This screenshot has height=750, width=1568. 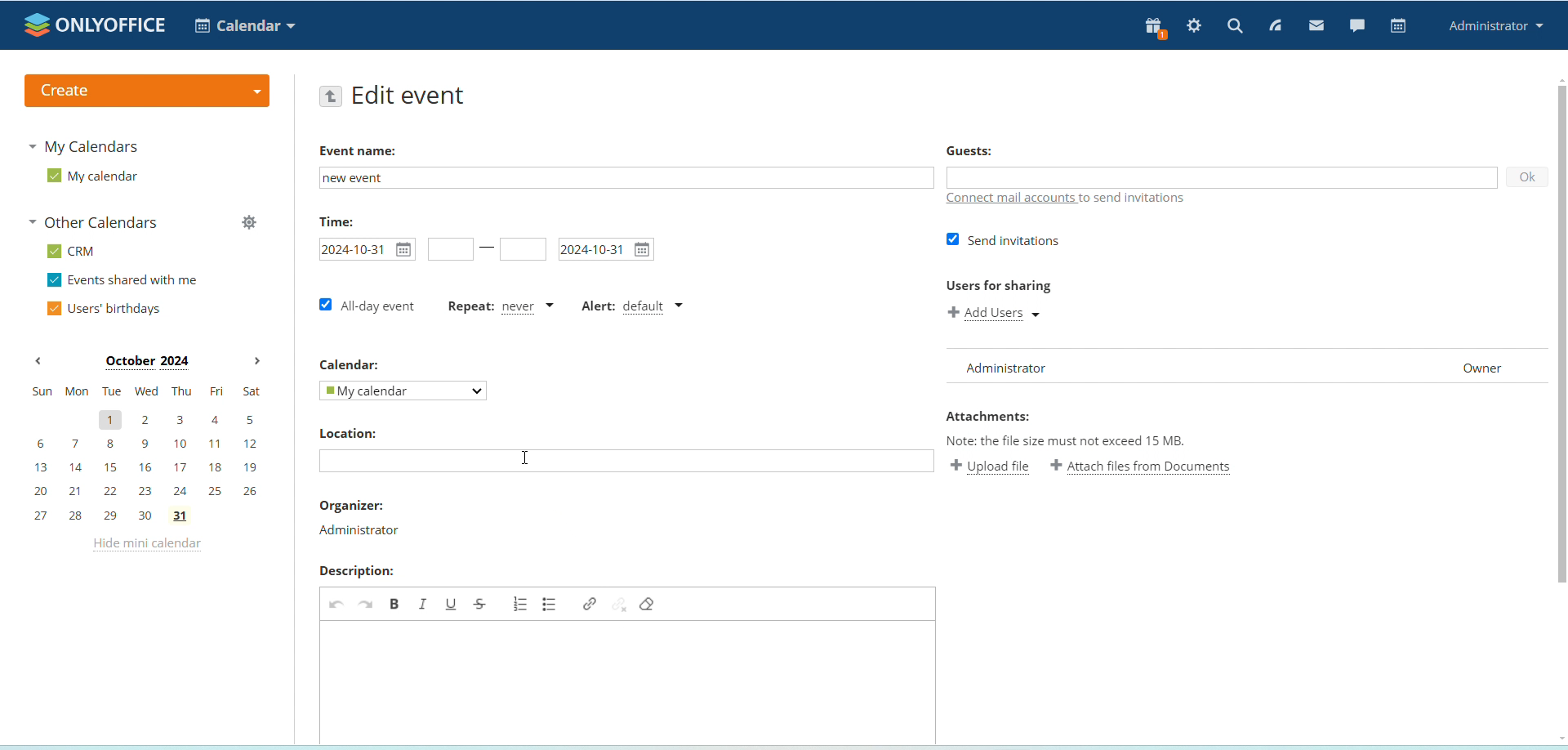 What do you see at coordinates (1526, 178) in the screenshot?
I see `ok` at bounding box center [1526, 178].